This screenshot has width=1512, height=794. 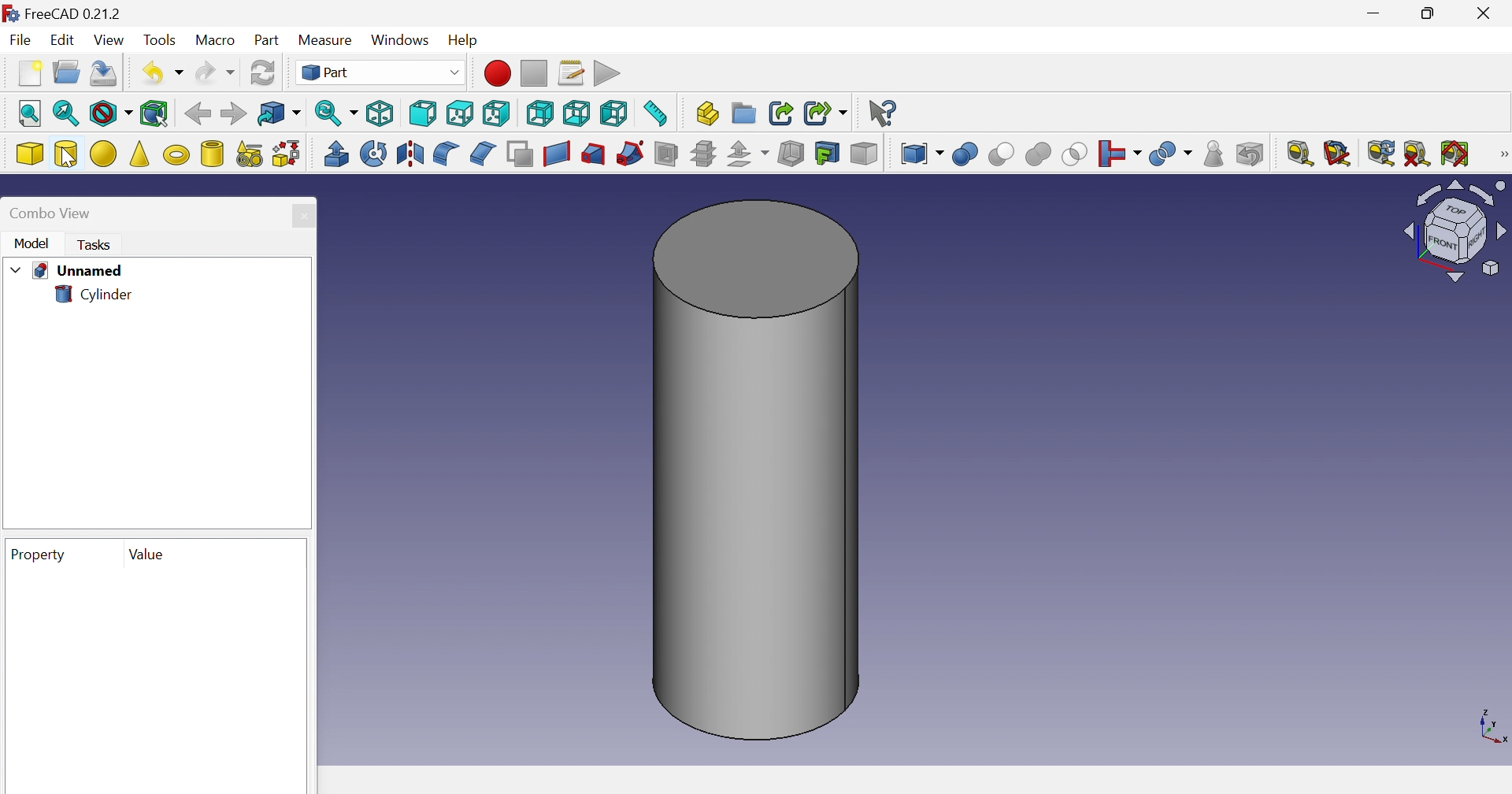 I want to click on Cylinder, so click(x=94, y=295).